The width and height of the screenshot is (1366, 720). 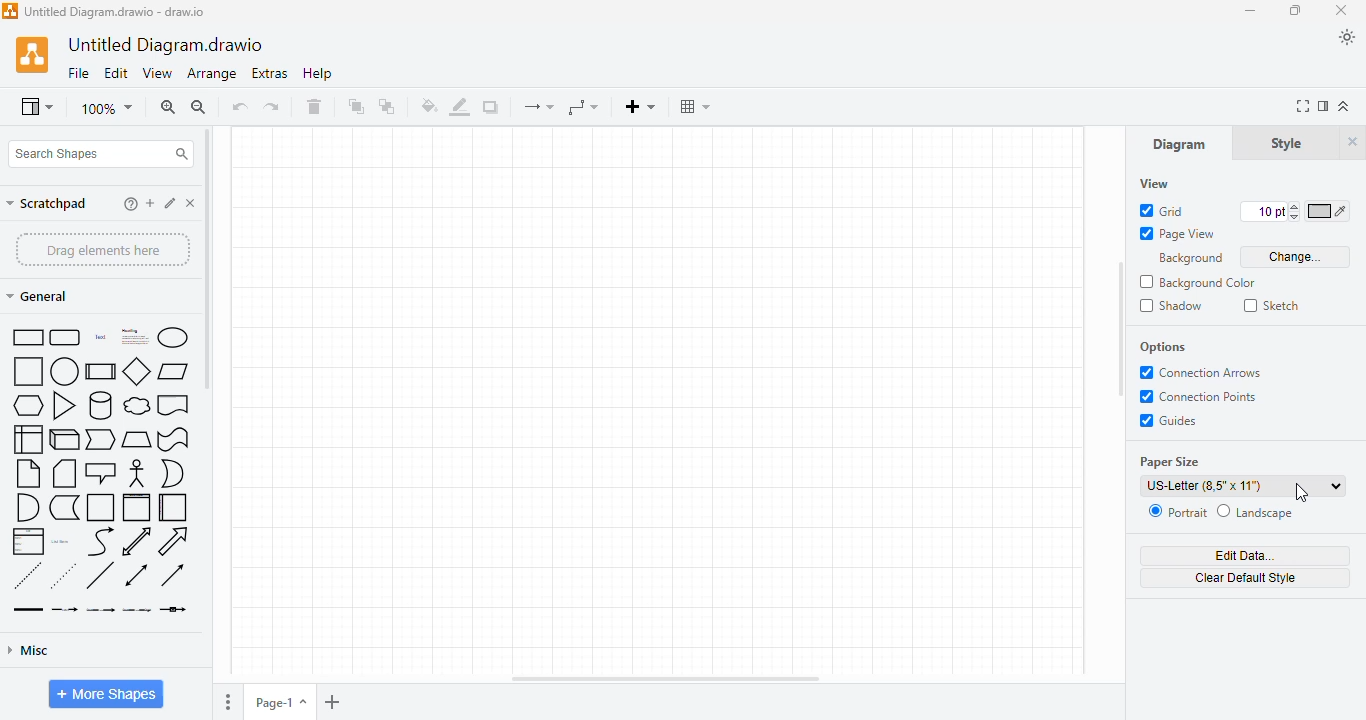 I want to click on callout, so click(x=101, y=473).